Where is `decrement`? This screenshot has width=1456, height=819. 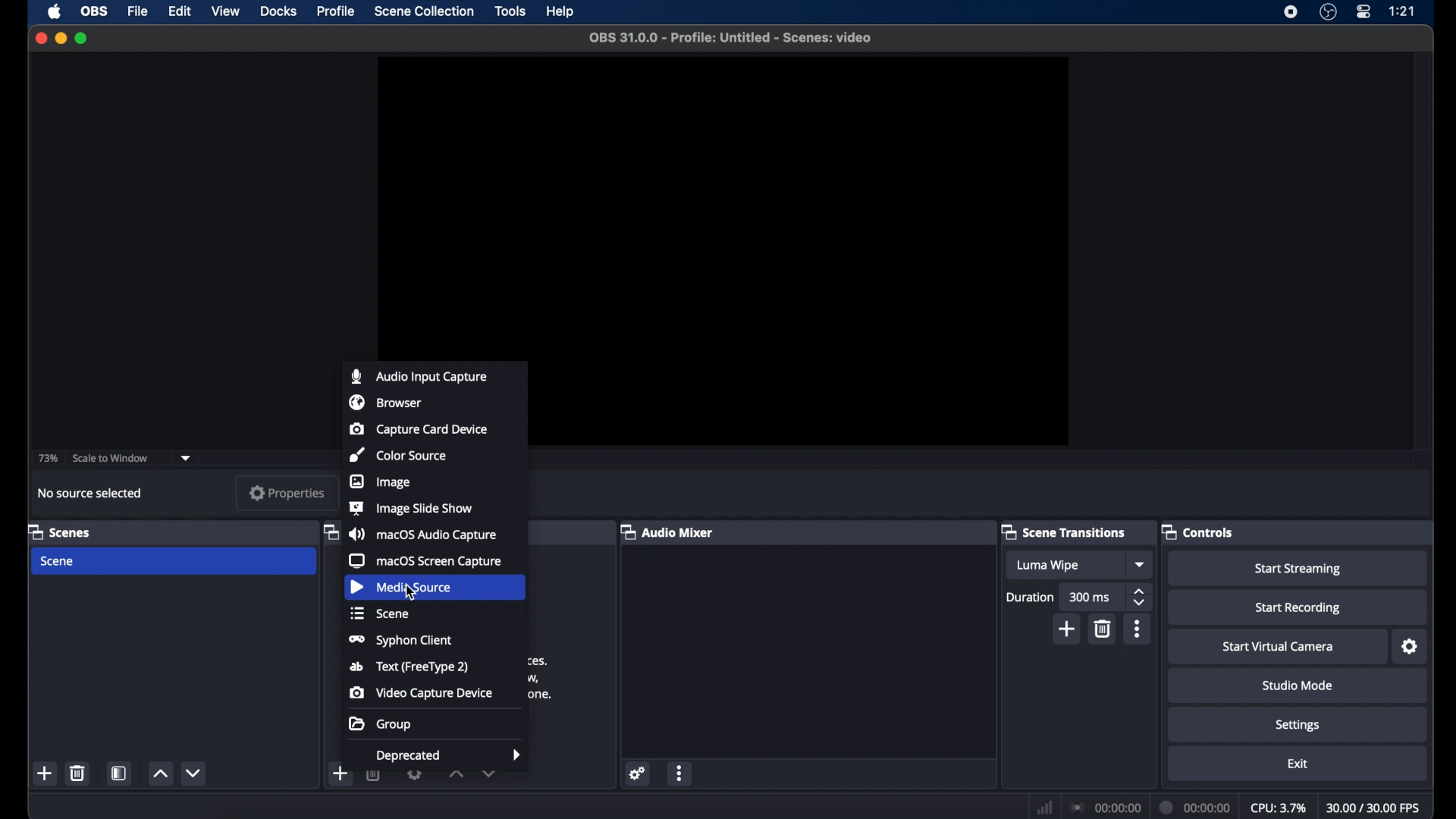 decrement is located at coordinates (490, 773).